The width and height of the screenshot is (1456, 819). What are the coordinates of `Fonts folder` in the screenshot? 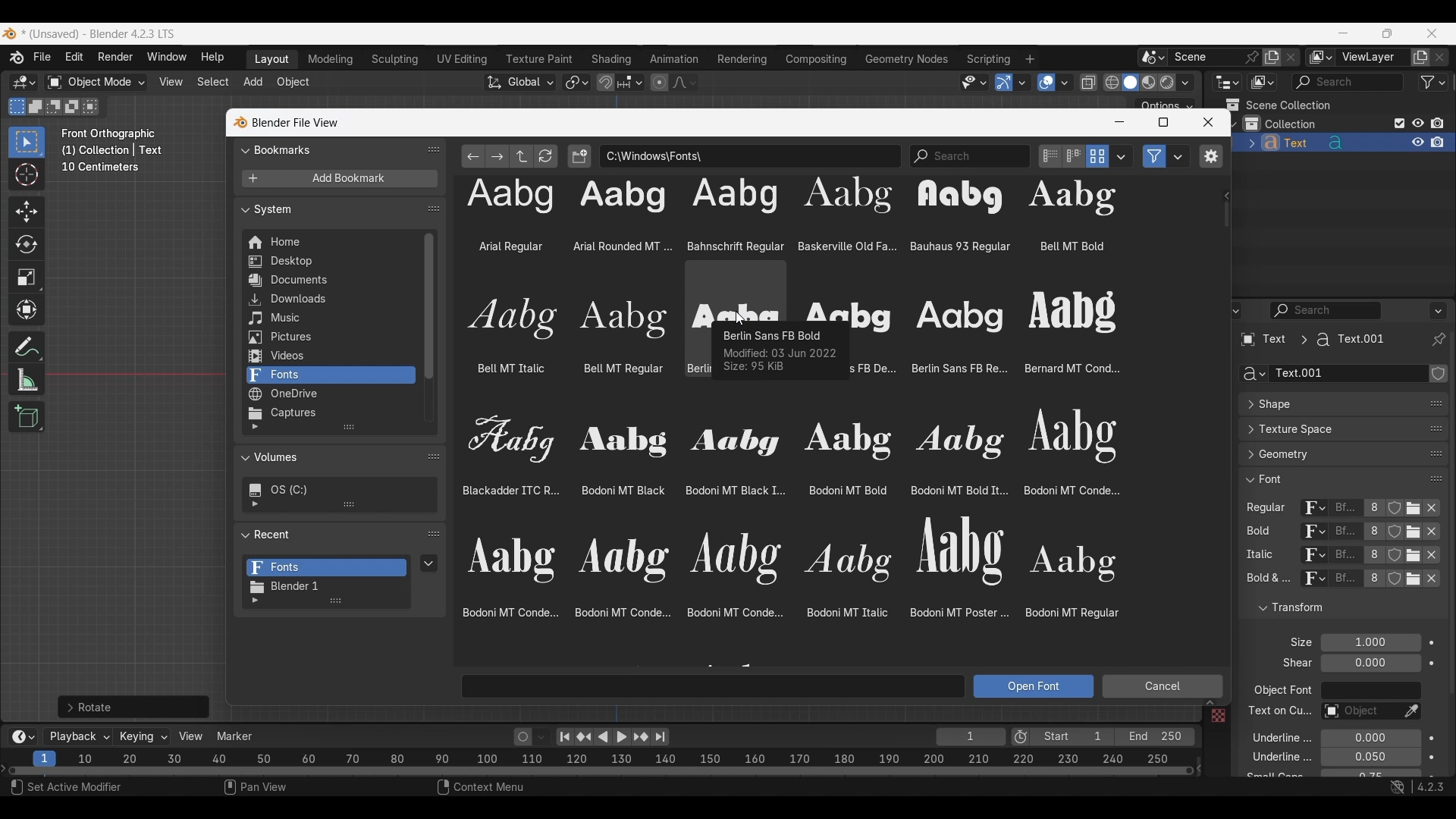 It's located at (327, 568).